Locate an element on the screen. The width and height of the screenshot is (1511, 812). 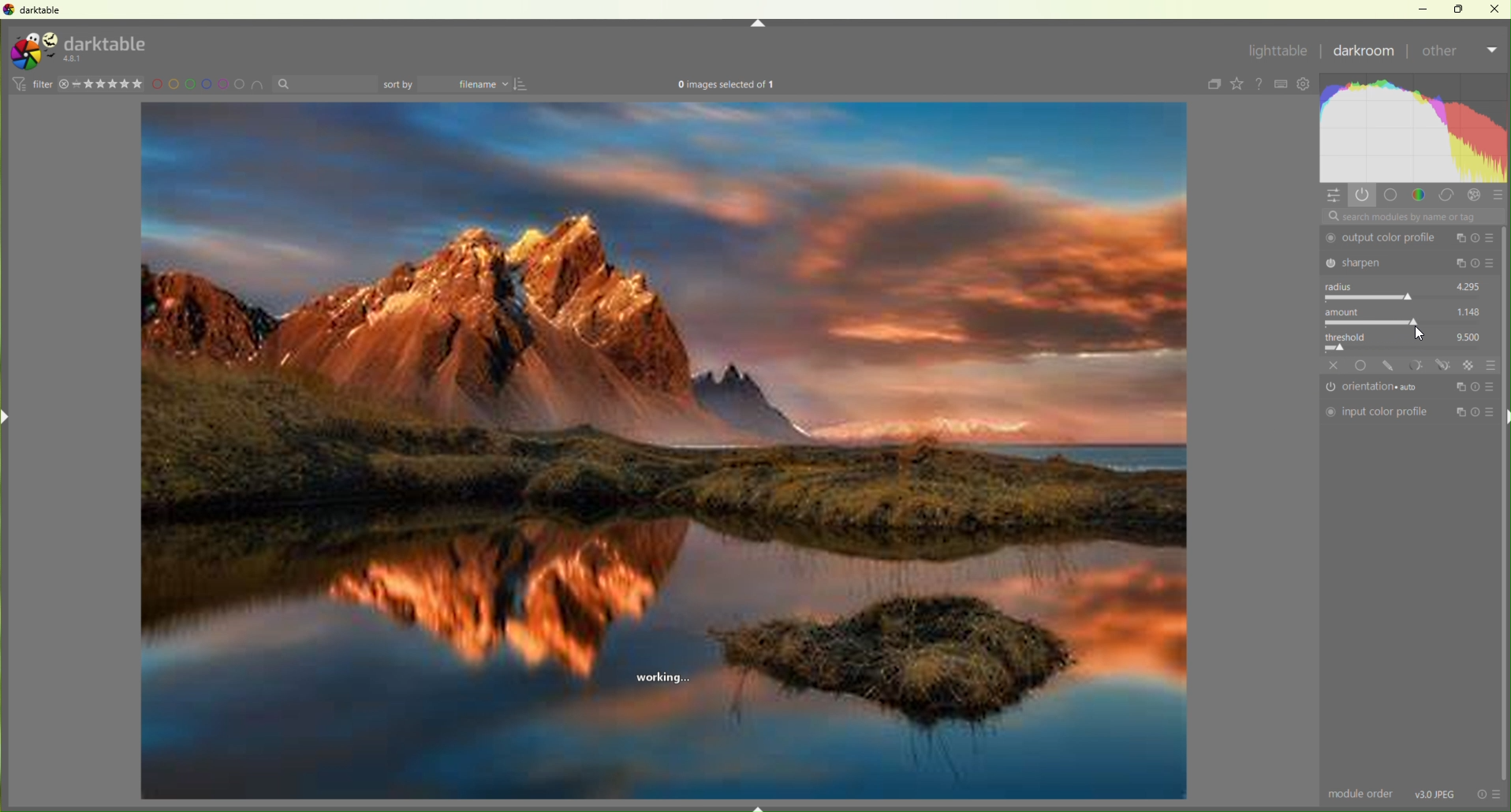
logo is located at coordinates (32, 51).